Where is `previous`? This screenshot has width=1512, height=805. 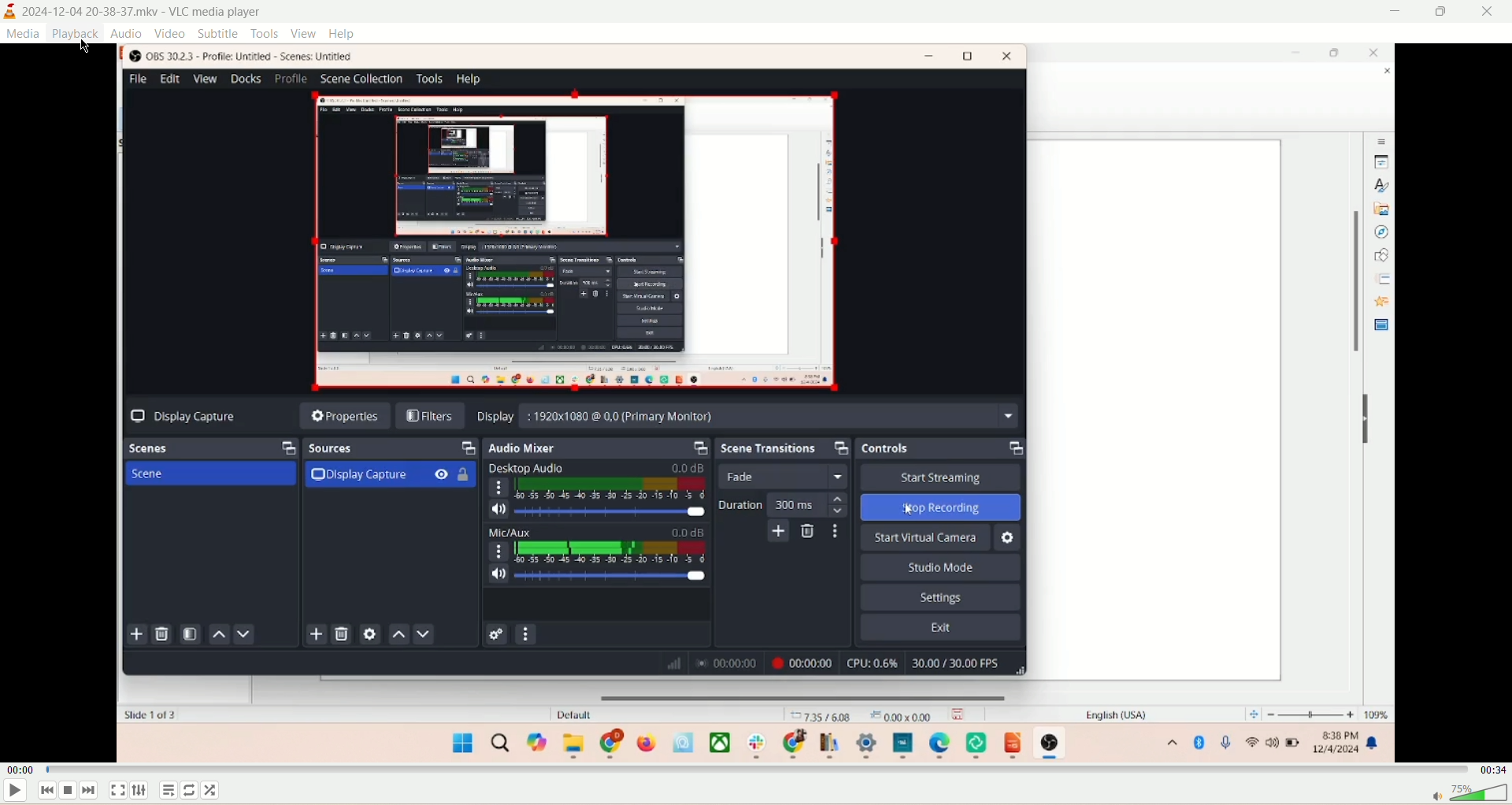
previous is located at coordinates (45, 792).